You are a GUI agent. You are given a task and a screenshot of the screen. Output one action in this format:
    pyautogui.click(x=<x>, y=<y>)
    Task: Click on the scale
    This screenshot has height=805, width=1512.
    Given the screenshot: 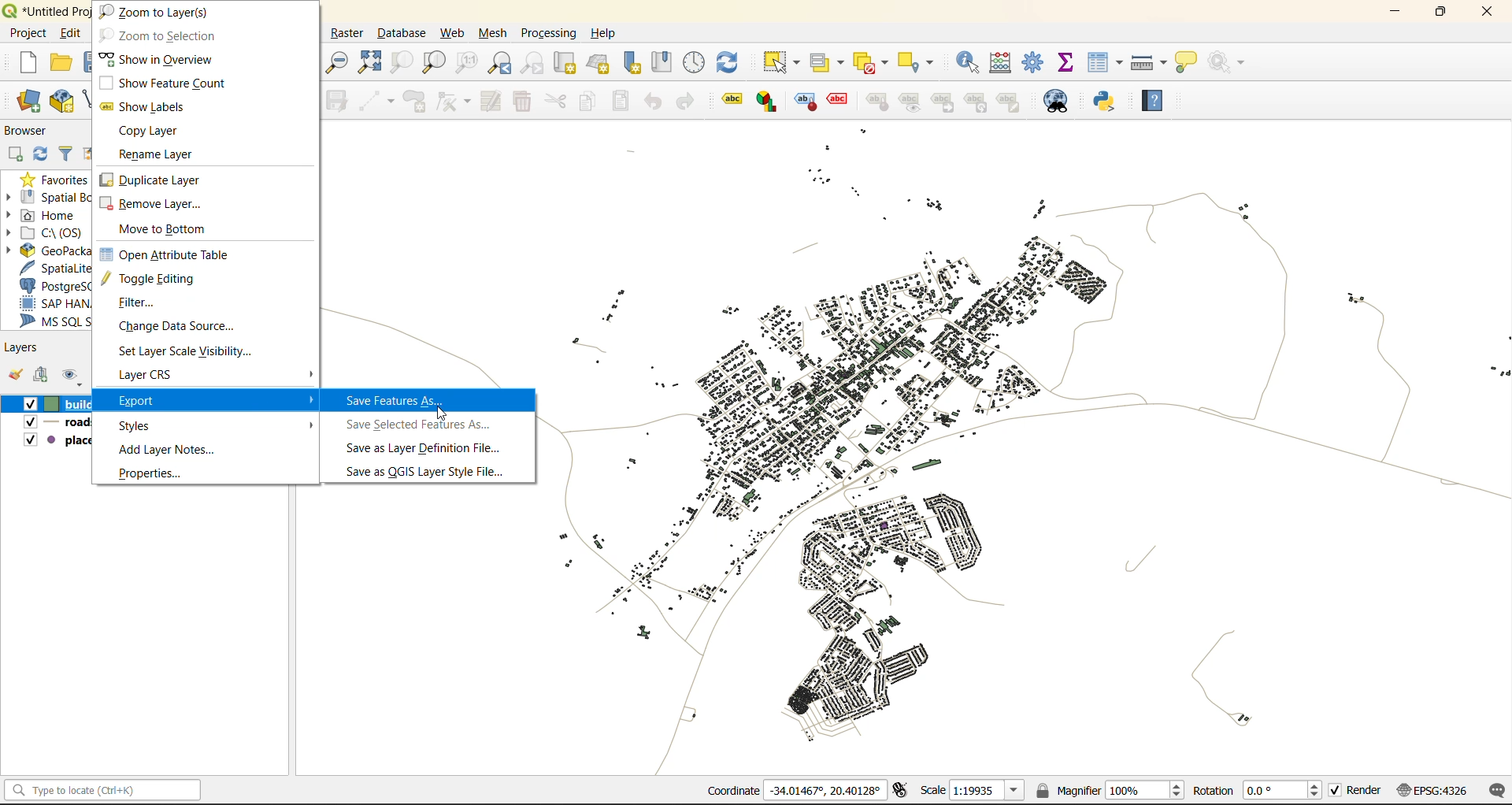 What is the action you would take?
    pyautogui.click(x=973, y=791)
    